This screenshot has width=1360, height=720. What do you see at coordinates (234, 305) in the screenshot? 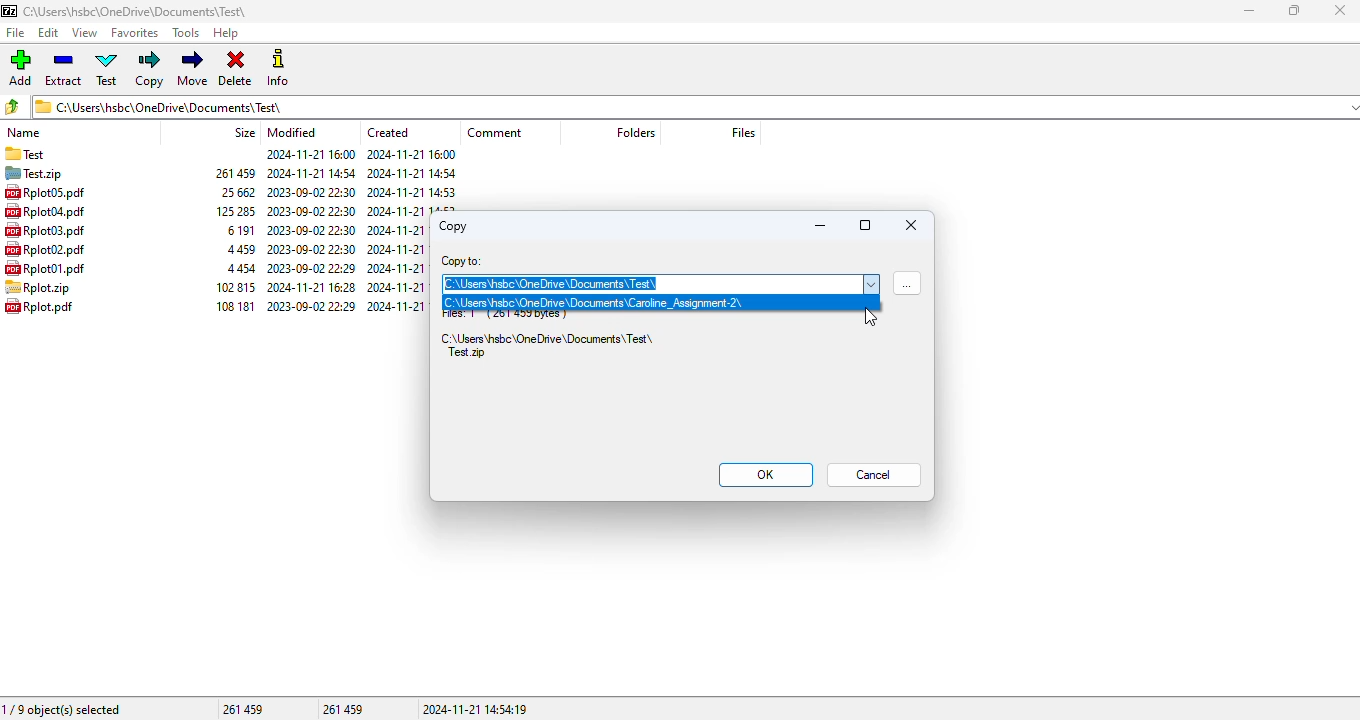
I see `size` at bounding box center [234, 305].